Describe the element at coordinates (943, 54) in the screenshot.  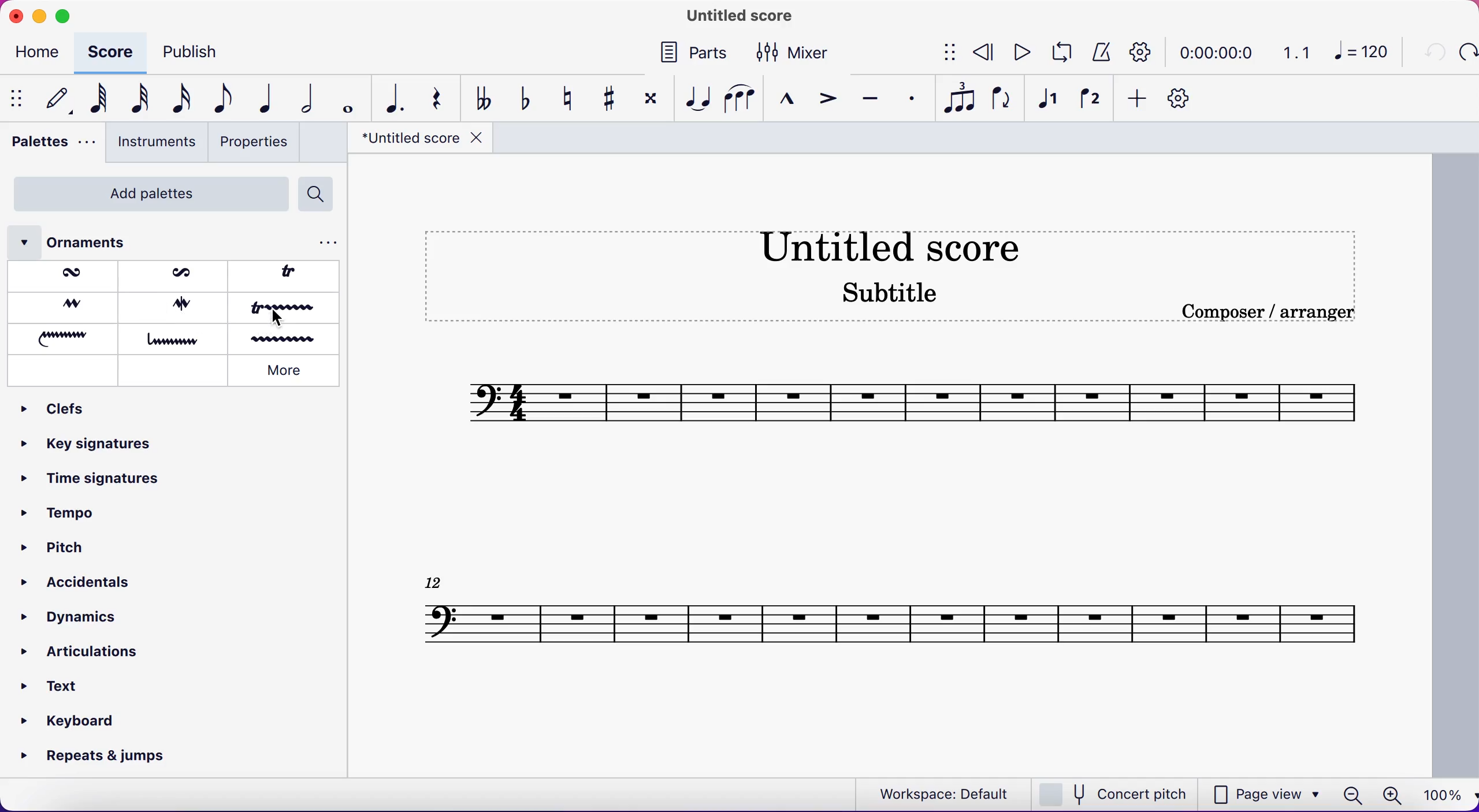
I see `show/hide` at that location.